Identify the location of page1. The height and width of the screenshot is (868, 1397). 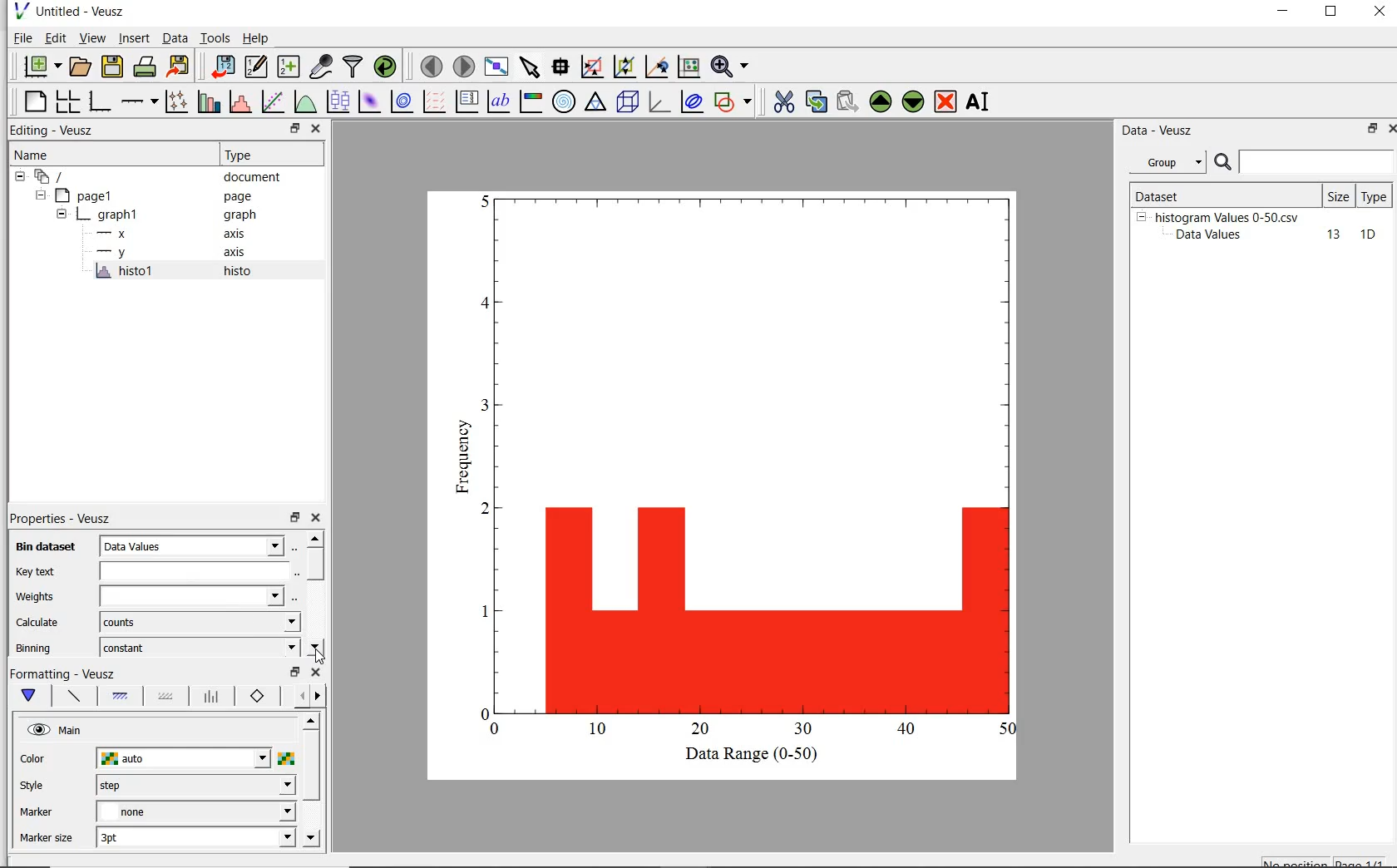
(87, 197).